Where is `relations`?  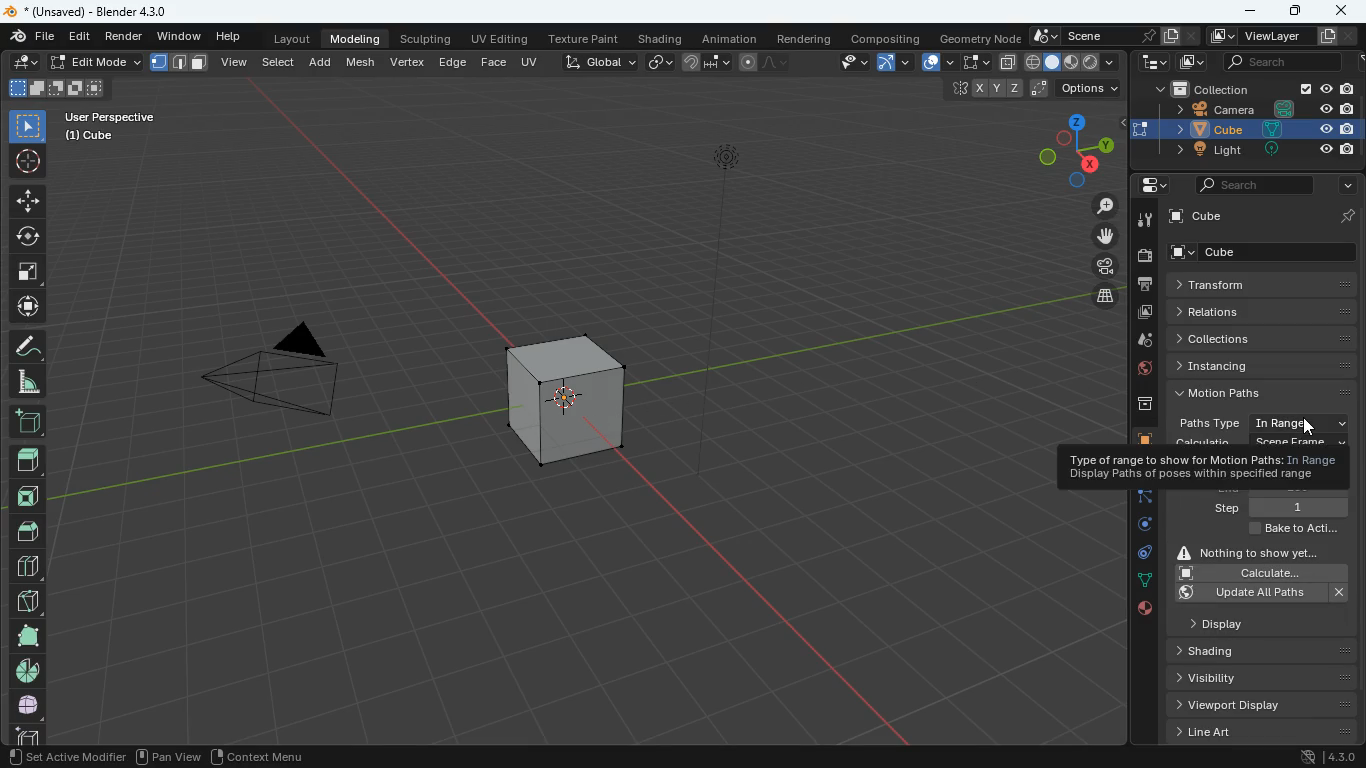 relations is located at coordinates (1260, 310).